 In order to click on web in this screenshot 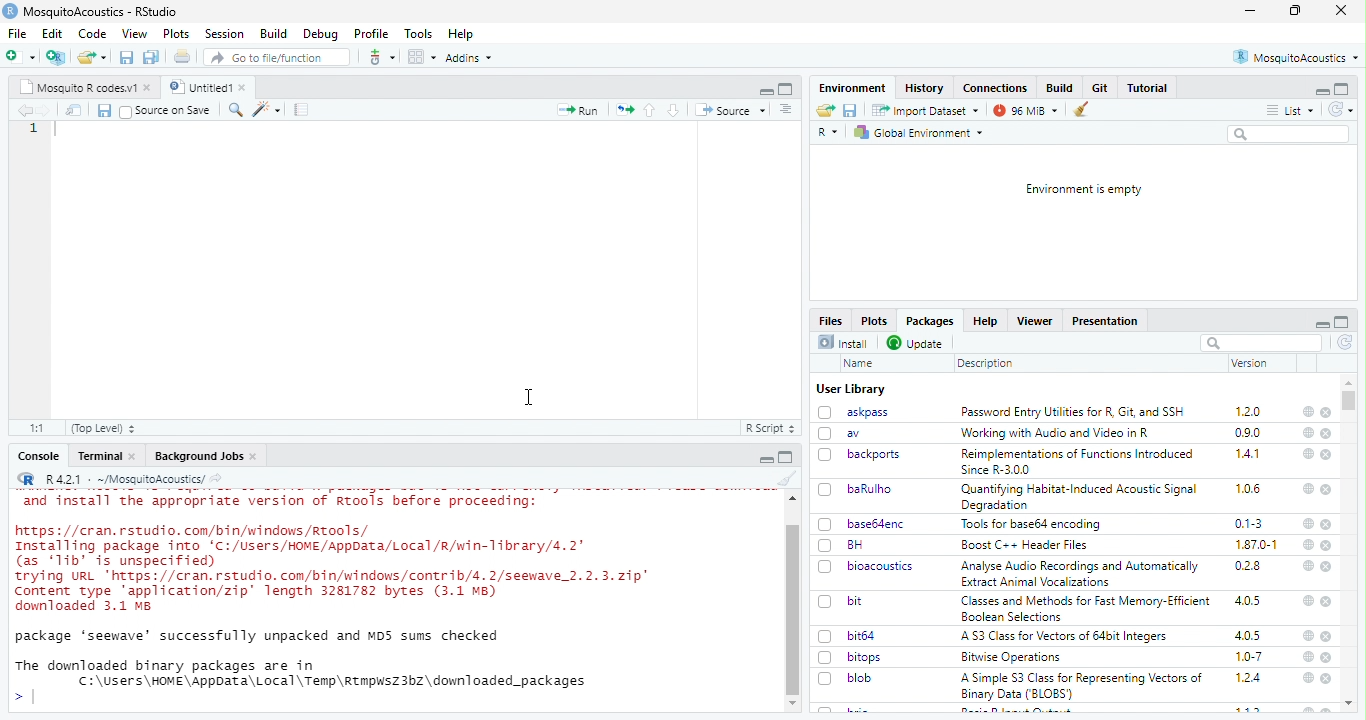, I will do `click(1309, 524)`.